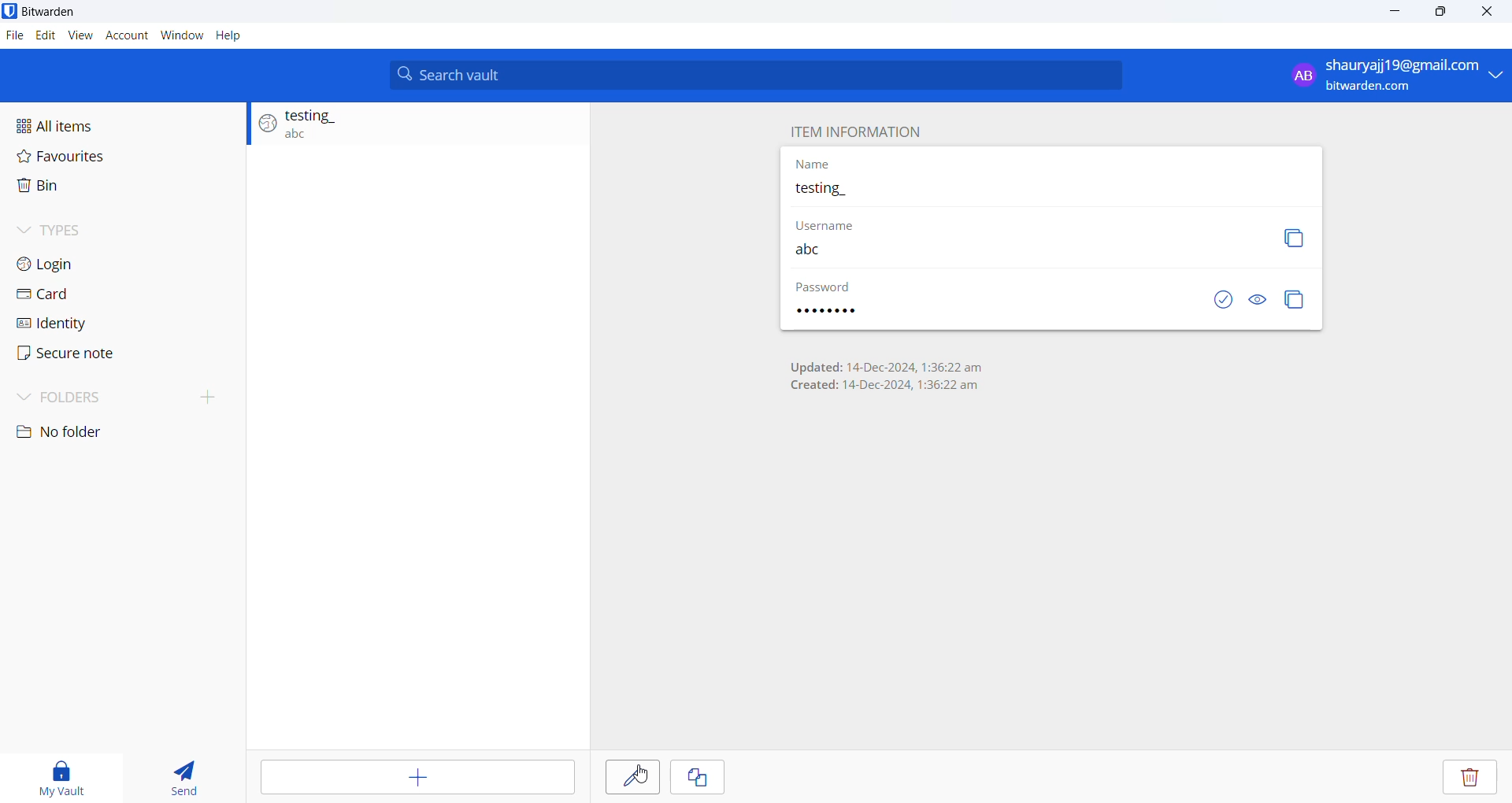  Describe the element at coordinates (632, 783) in the screenshot. I see `Cursor` at that location.